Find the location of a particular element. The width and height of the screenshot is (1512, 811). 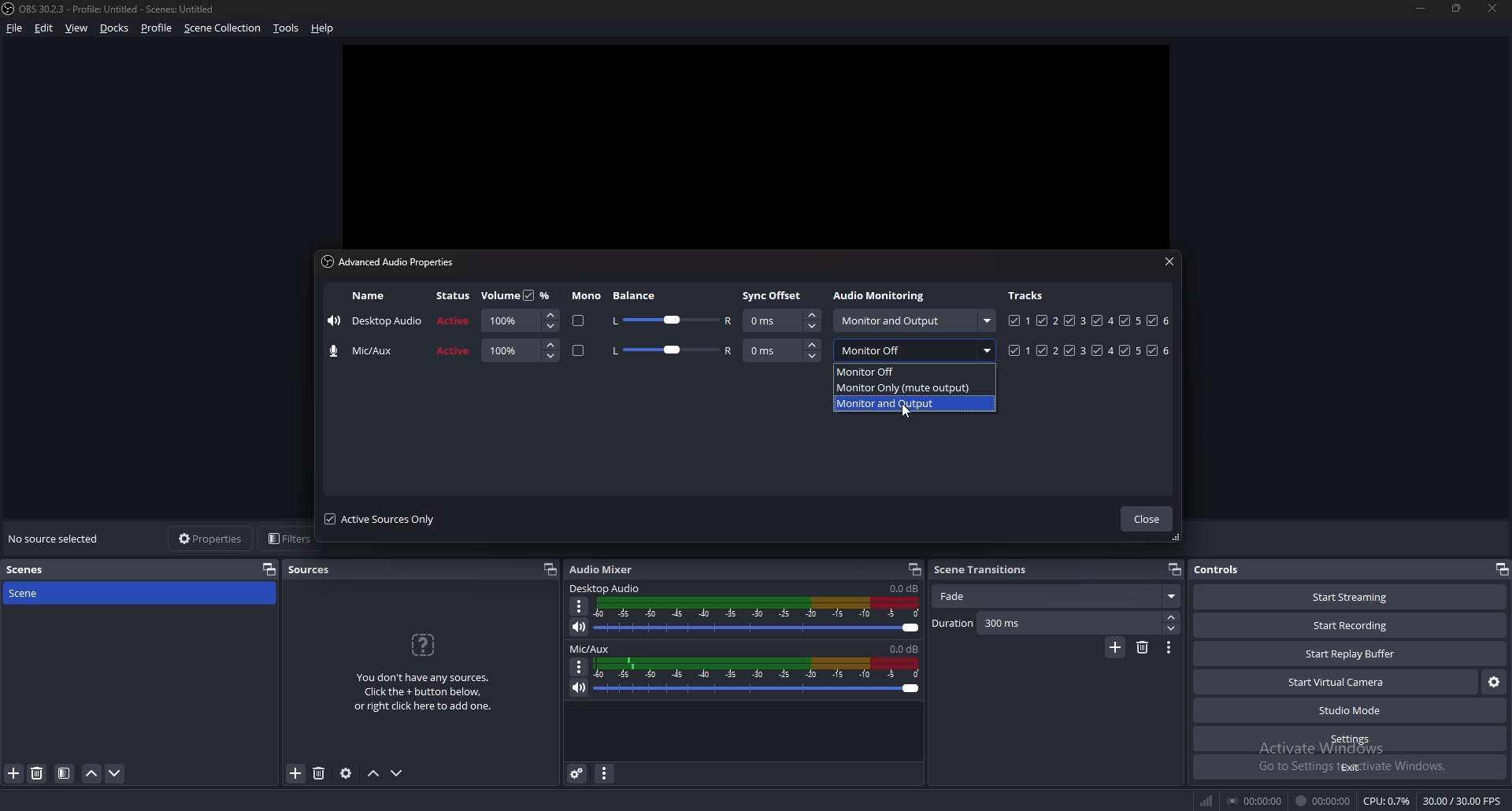

percentage toggle is located at coordinates (539, 294).